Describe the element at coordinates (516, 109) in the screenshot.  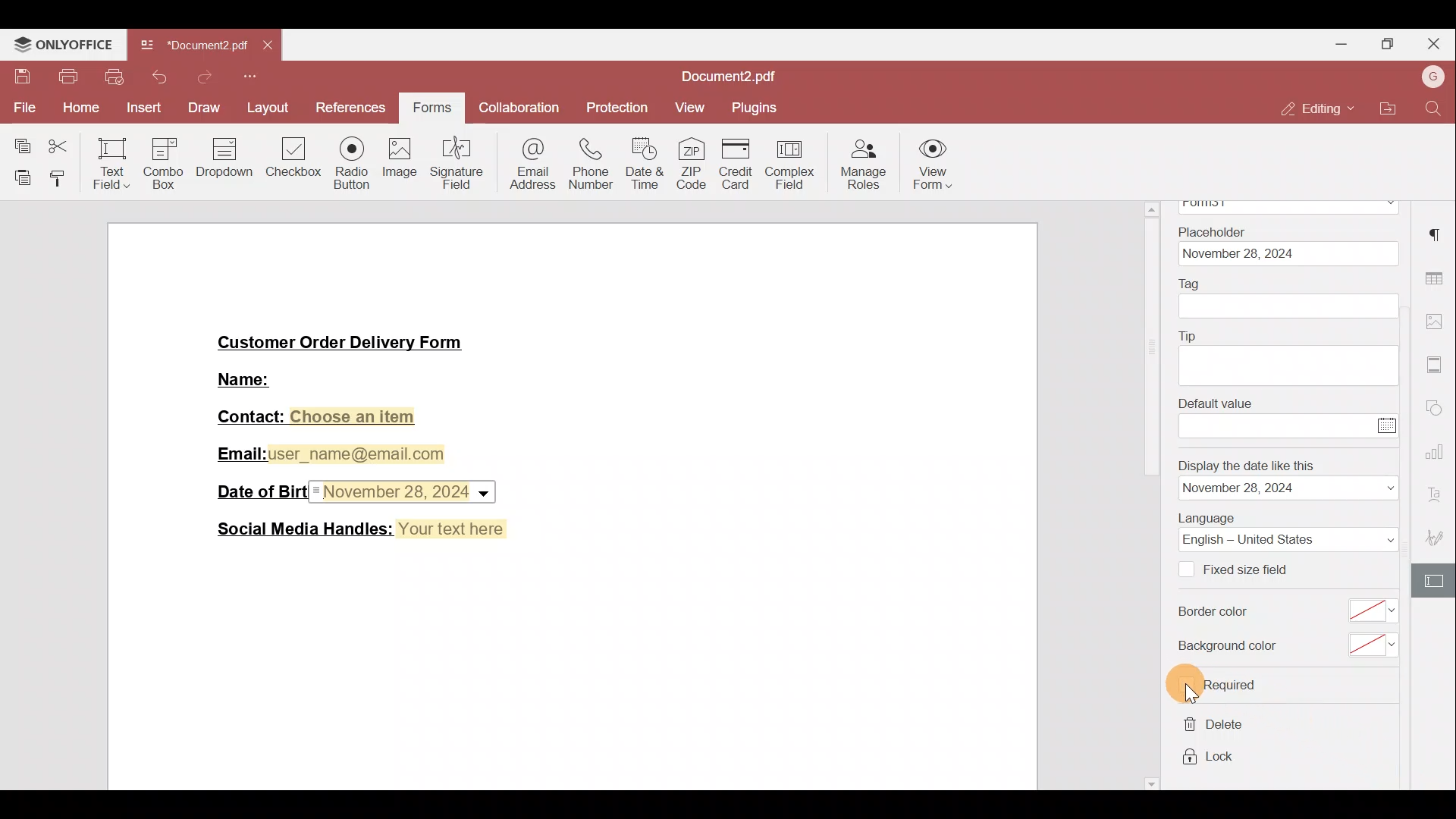
I see `Collaboration` at that location.